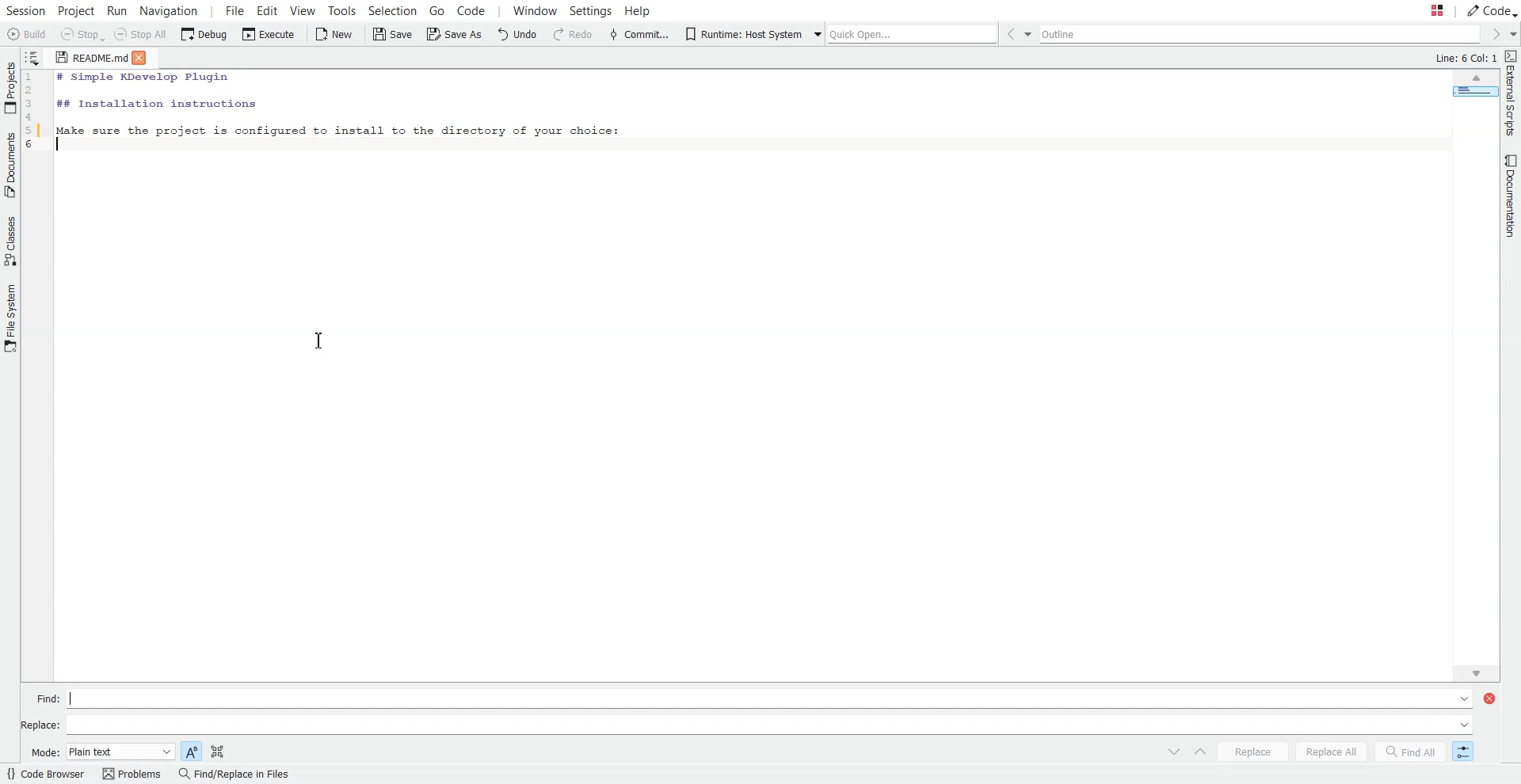 The image size is (1521, 784). What do you see at coordinates (338, 128) in the screenshot?
I see `Make sure the project is configured to install to the directory of your choice:` at bounding box center [338, 128].